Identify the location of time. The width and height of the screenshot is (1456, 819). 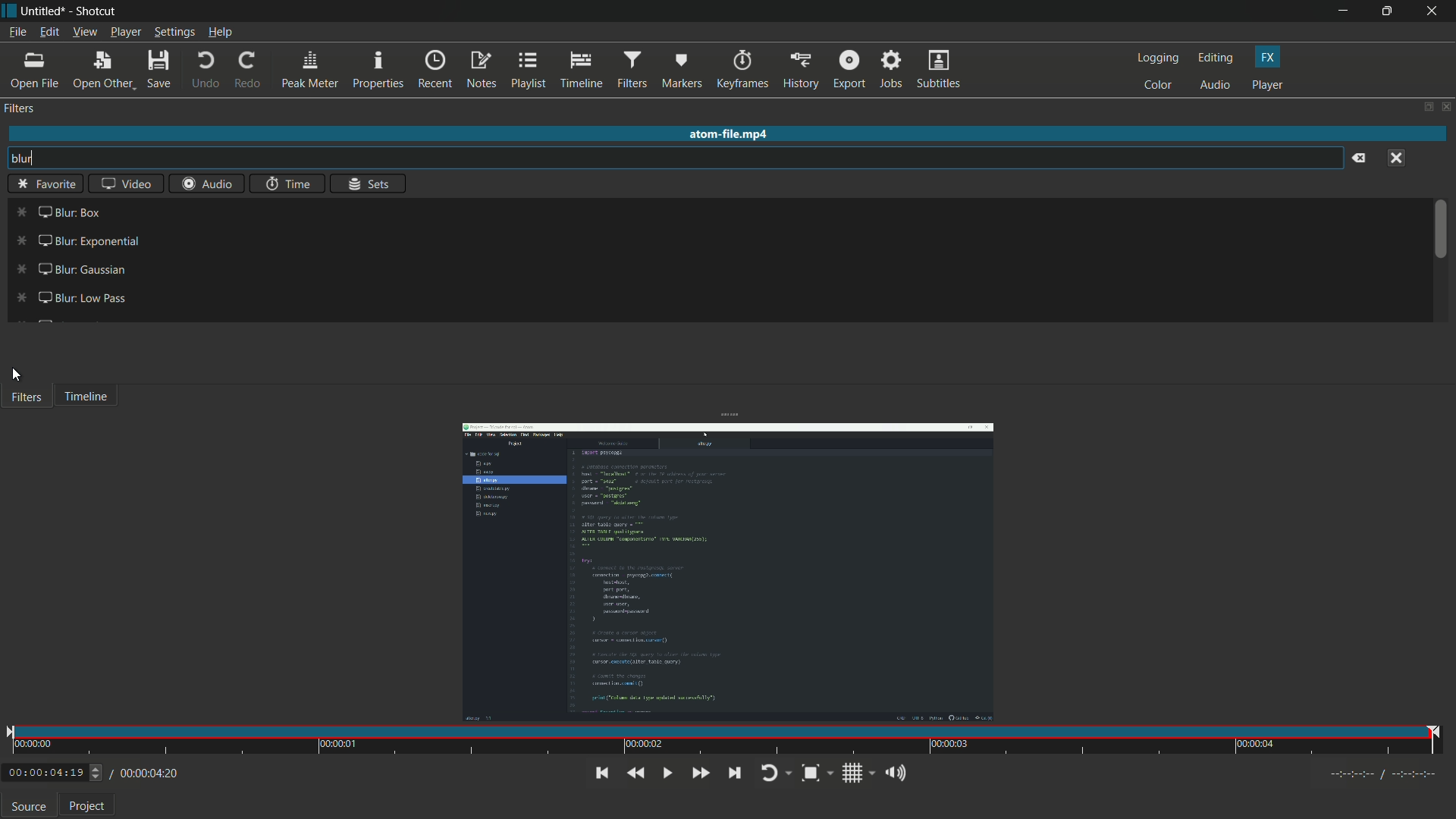
(726, 741).